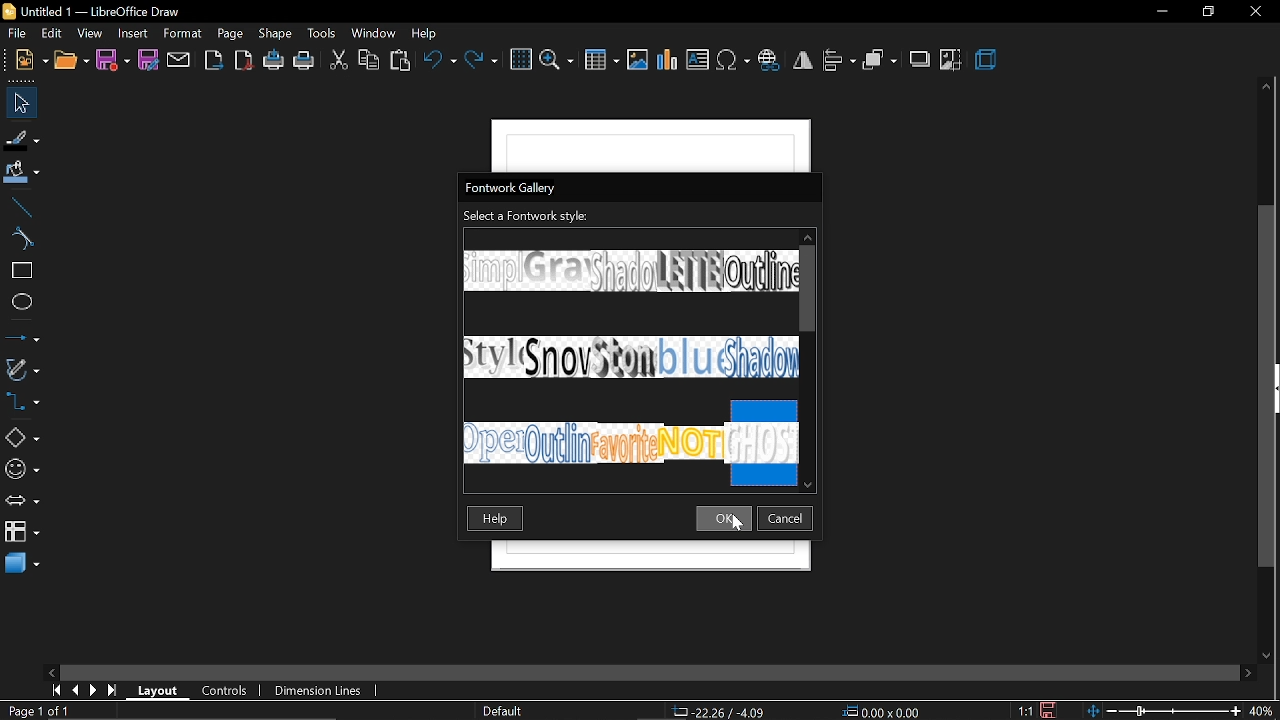 Image resolution: width=1280 pixels, height=720 pixels. What do you see at coordinates (1207, 12) in the screenshot?
I see `restore down` at bounding box center [1207, 12].